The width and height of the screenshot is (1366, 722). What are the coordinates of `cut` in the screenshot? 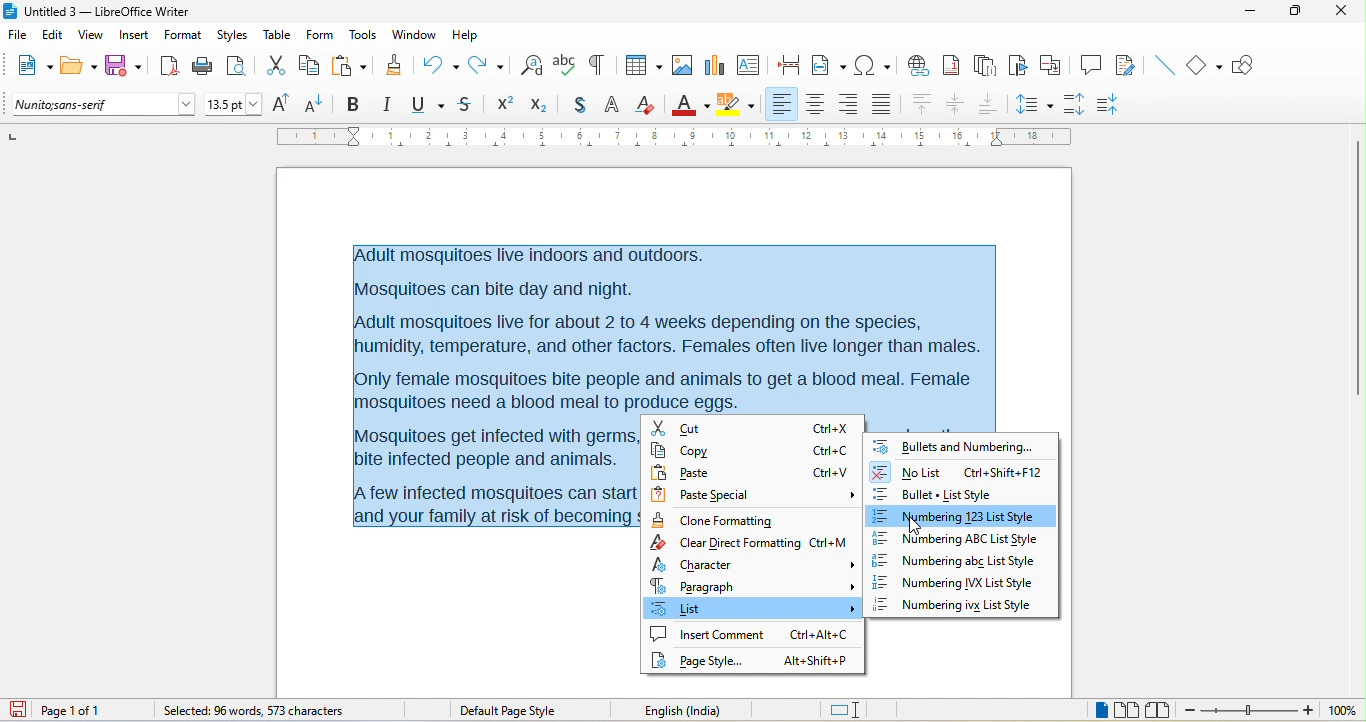 It's located at (278, 65).